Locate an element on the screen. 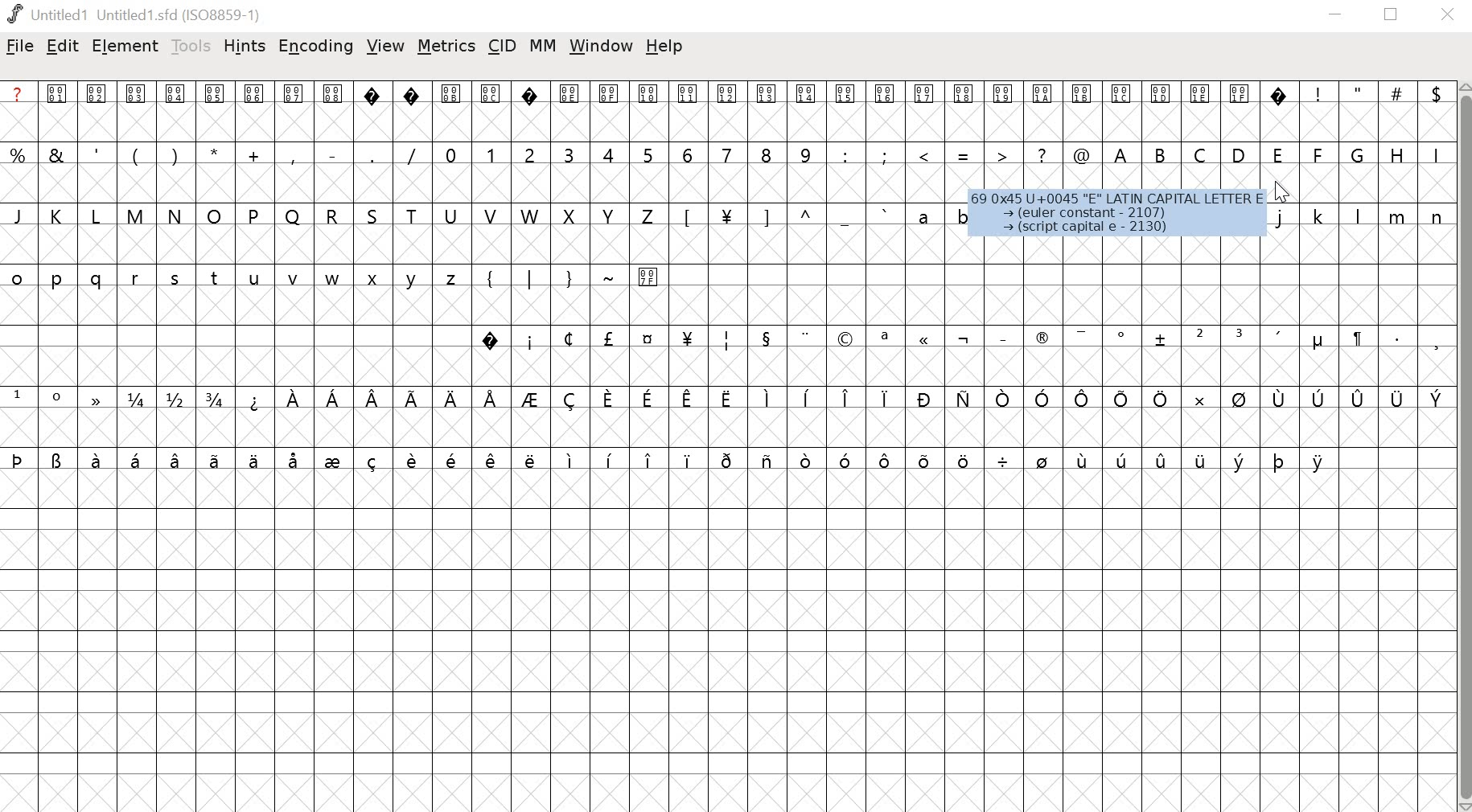 The image size is (1472, 812). empty cells is located at coordinates (722, 185).